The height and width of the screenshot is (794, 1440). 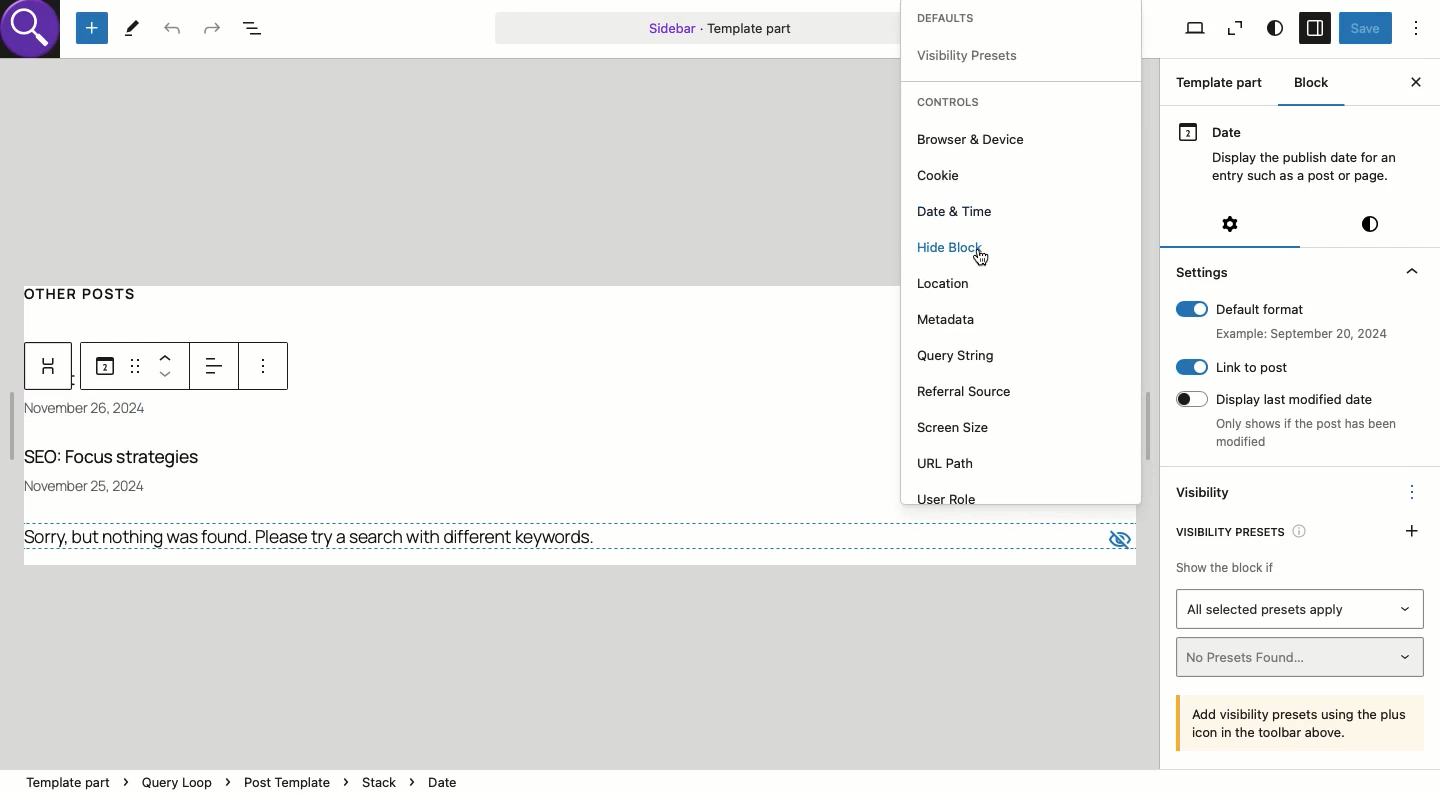 What do you see at coordinates (954, 500) in the screenshot?
I see `User role` at bounding box center [954, 500].